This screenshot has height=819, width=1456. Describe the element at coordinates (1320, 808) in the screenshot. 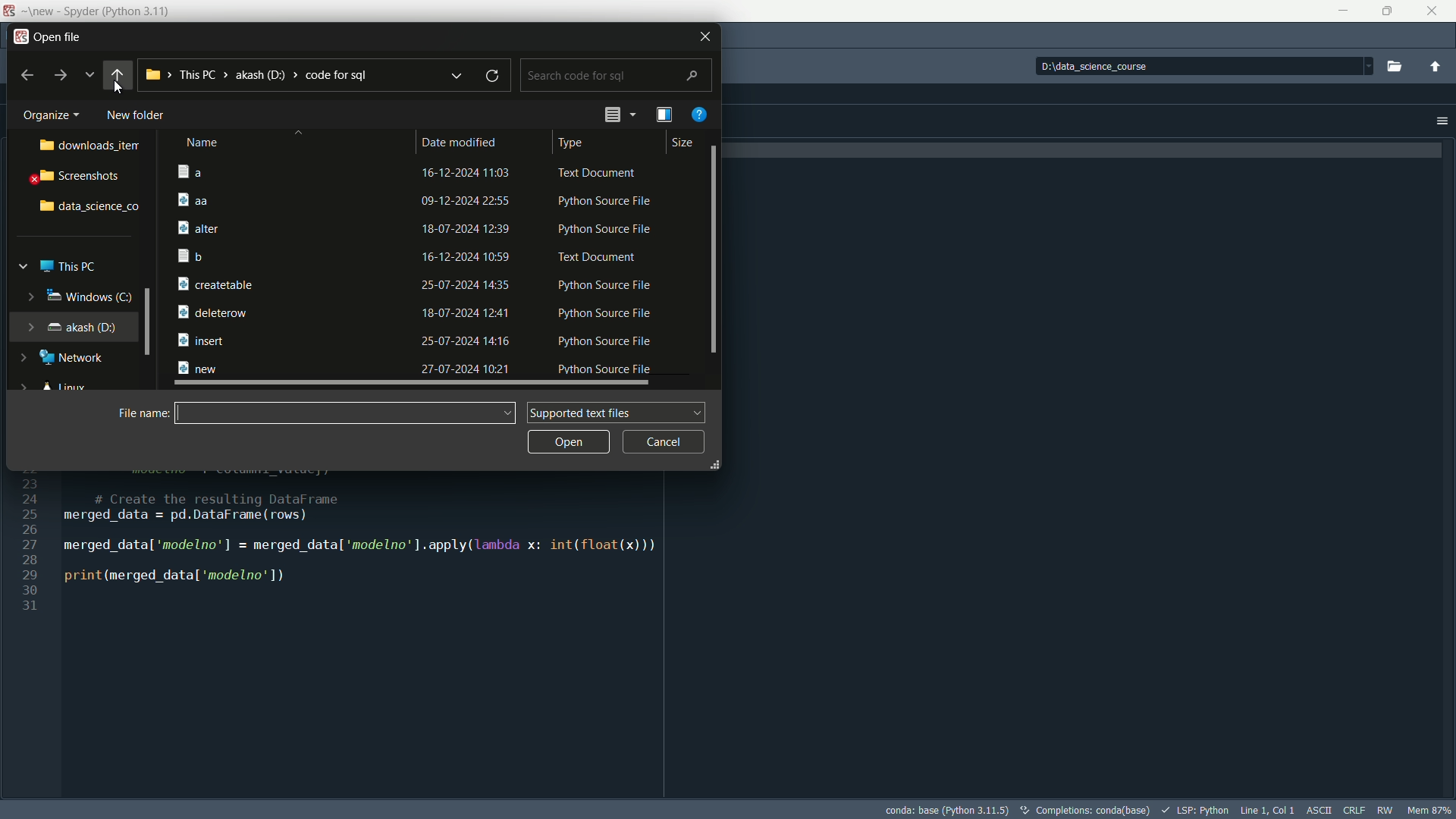

I see `file encoding` at that location.